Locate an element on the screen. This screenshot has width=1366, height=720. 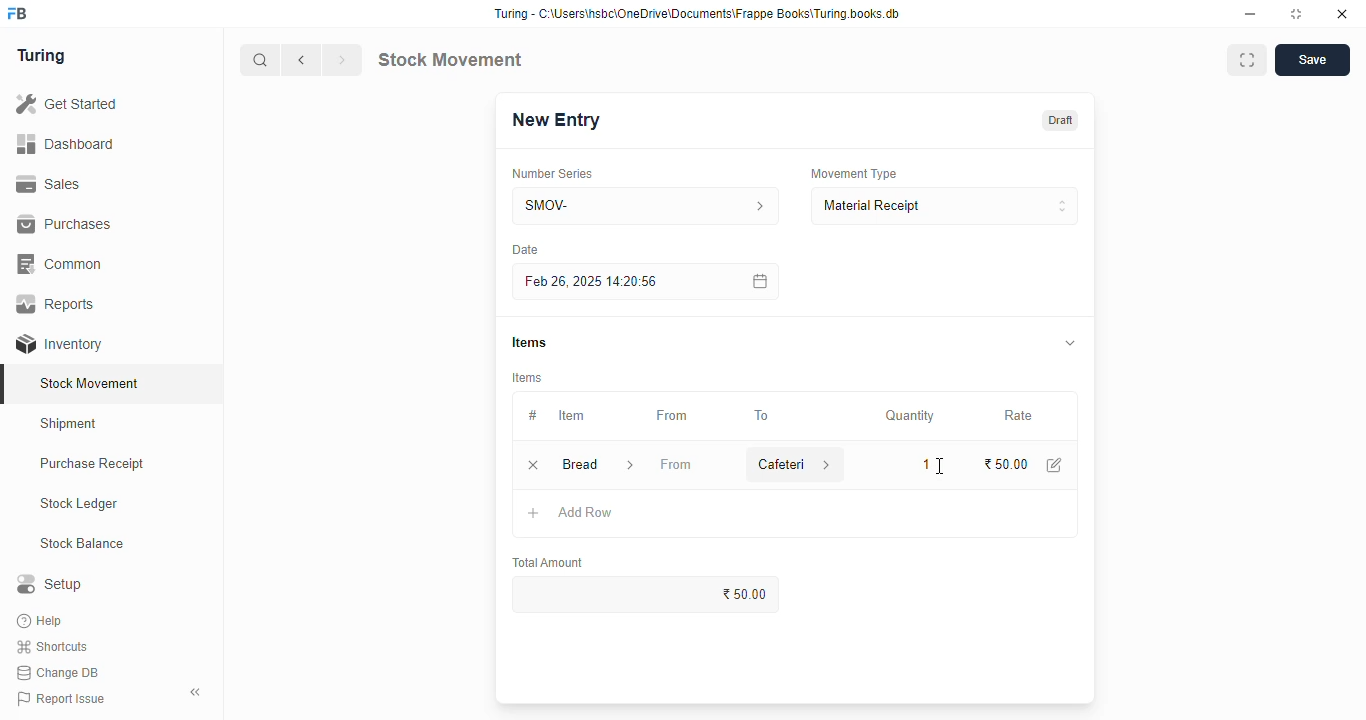
toggle expand/collapse is located at coordinates (1071, 342).